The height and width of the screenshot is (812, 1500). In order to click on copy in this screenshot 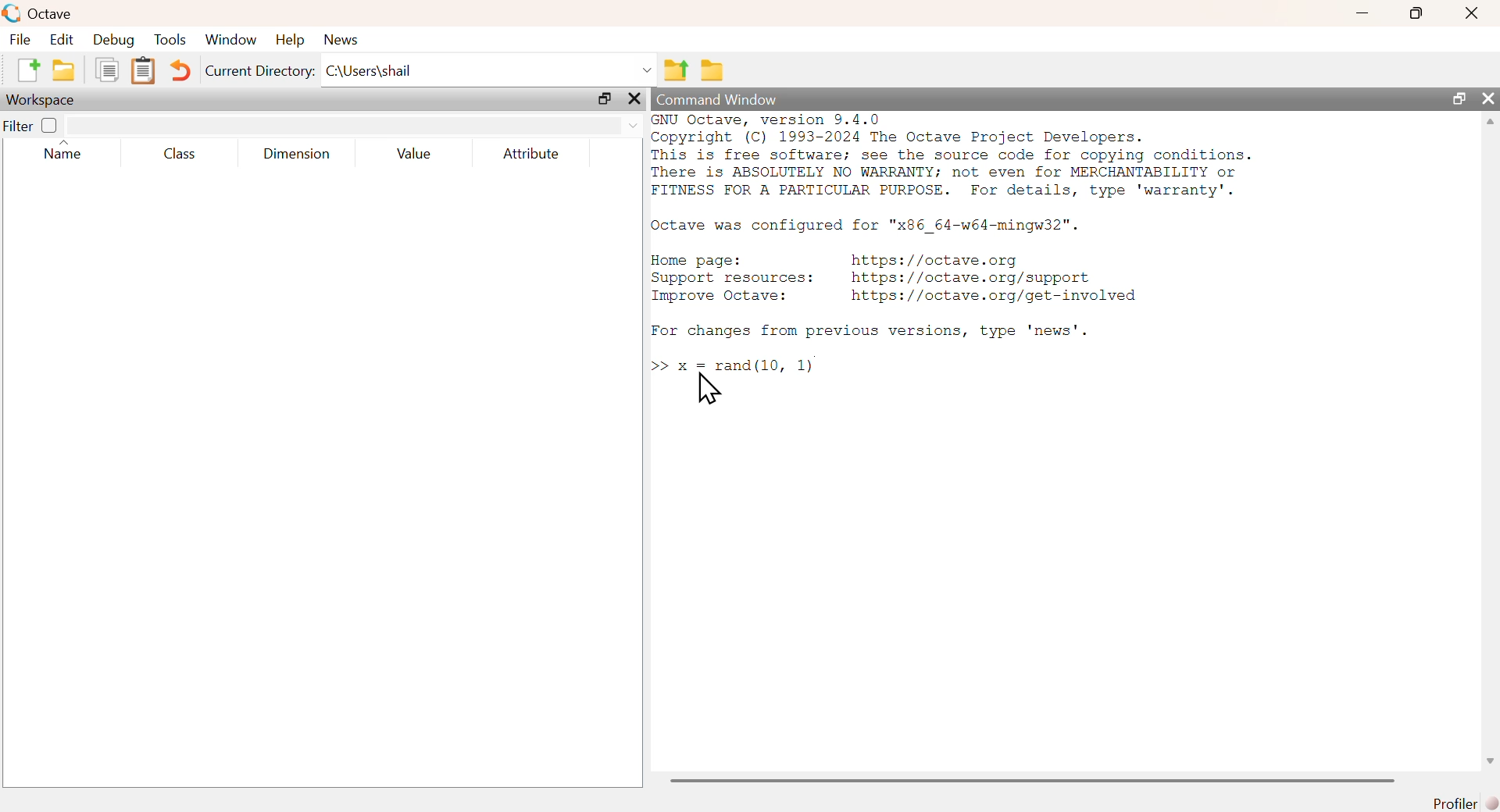, I will do `click(105, 69)`.